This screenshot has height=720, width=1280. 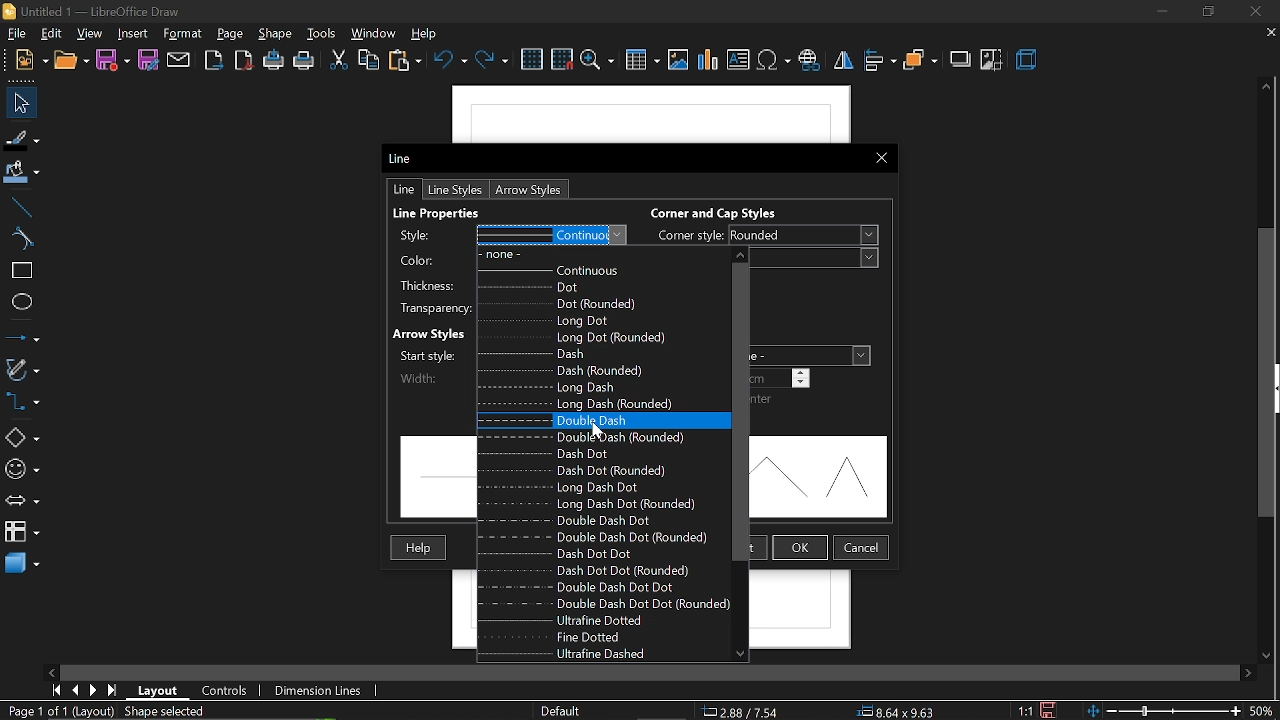 I want to click on new, so click(x=72, y=61).